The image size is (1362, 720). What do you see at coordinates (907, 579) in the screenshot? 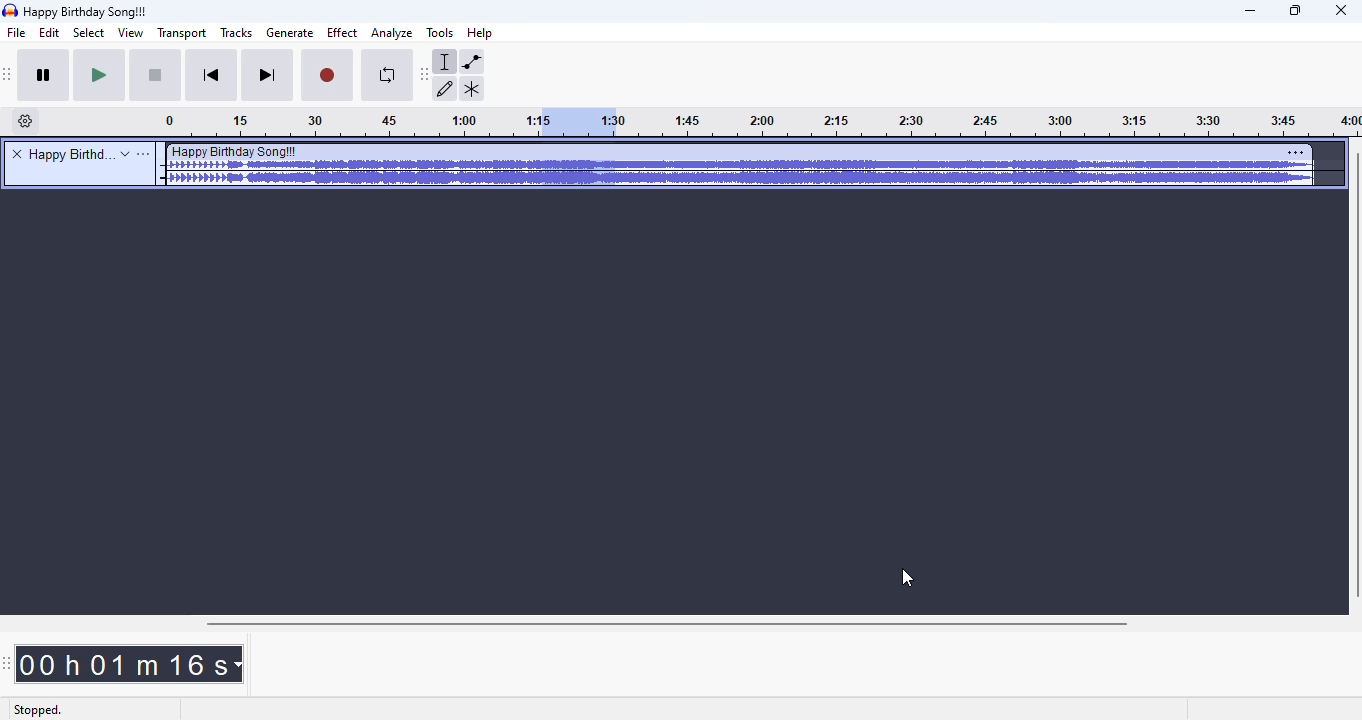
I see `cursor` at bounding box center [907, 579].